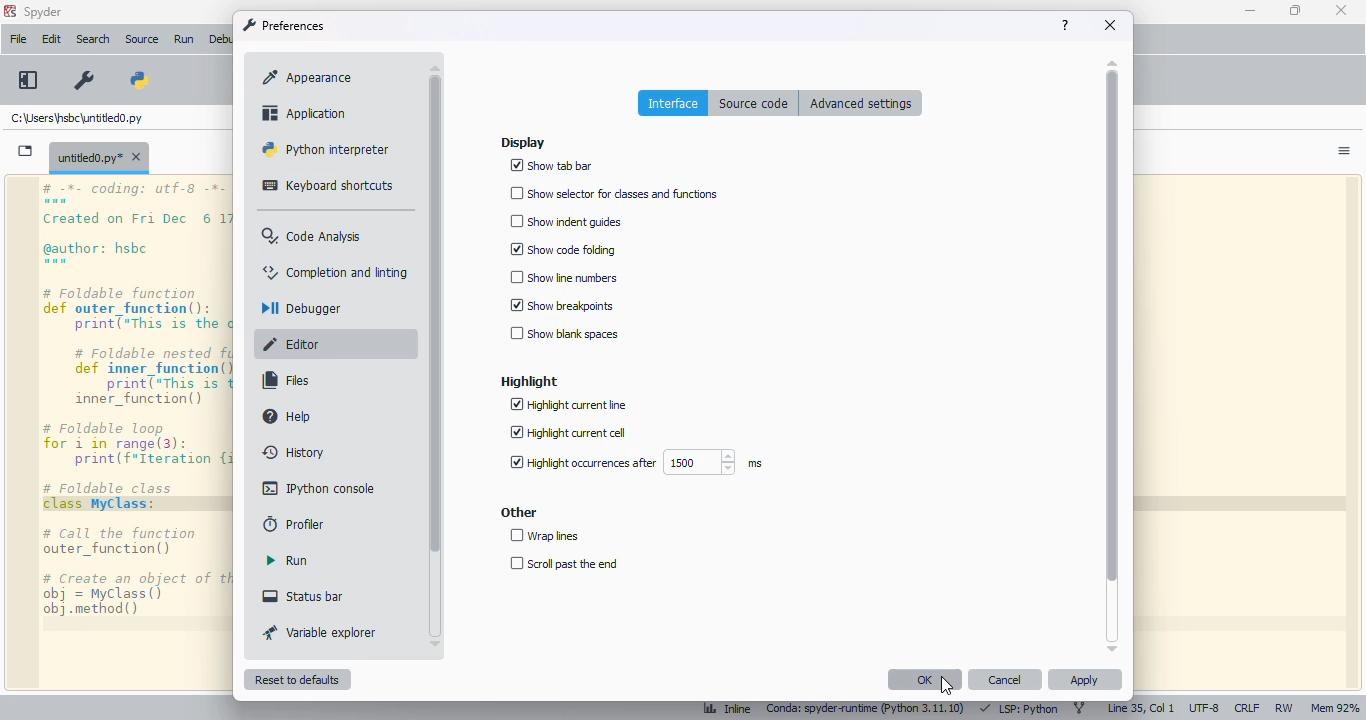 This screenshot has width=1366, height=720. Describe the element at coordinates (755, 102) in the screenshot. I see `source code` at that location.